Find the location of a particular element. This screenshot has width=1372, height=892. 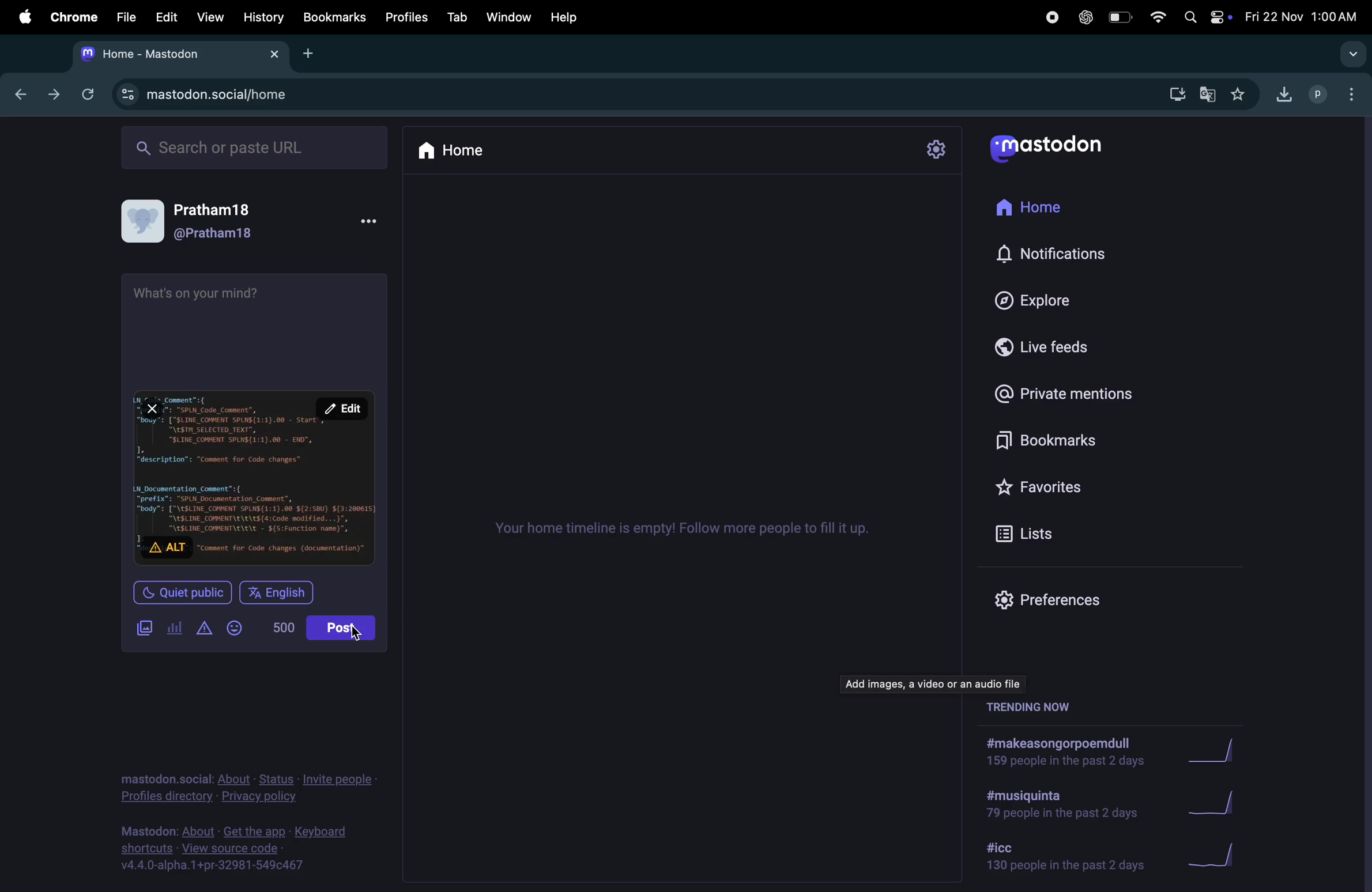

searchtabs is located at coordinates (1349, 56).